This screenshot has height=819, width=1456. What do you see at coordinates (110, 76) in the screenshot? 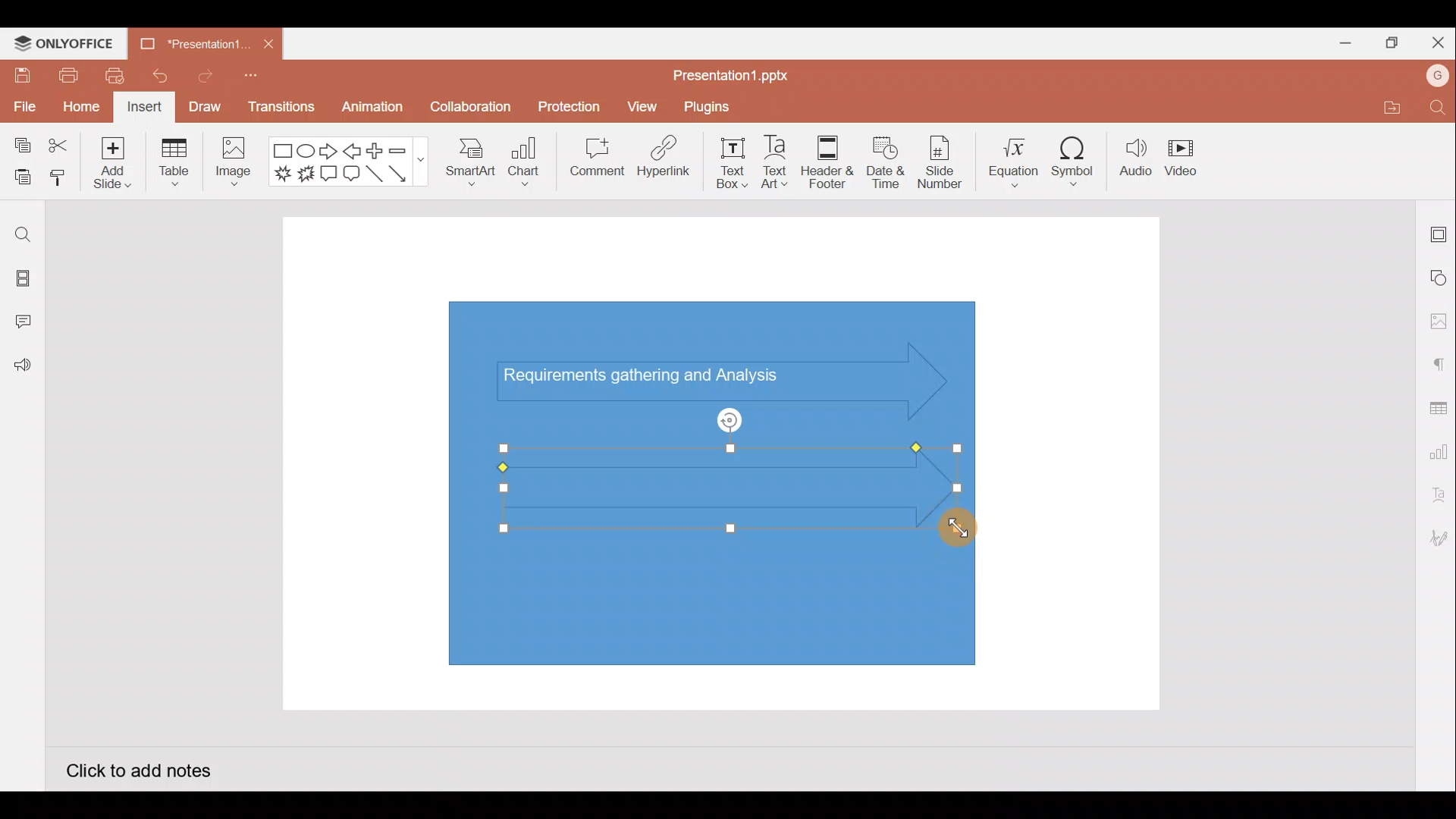
I see `Quick print` at bounding box center [110, 76].